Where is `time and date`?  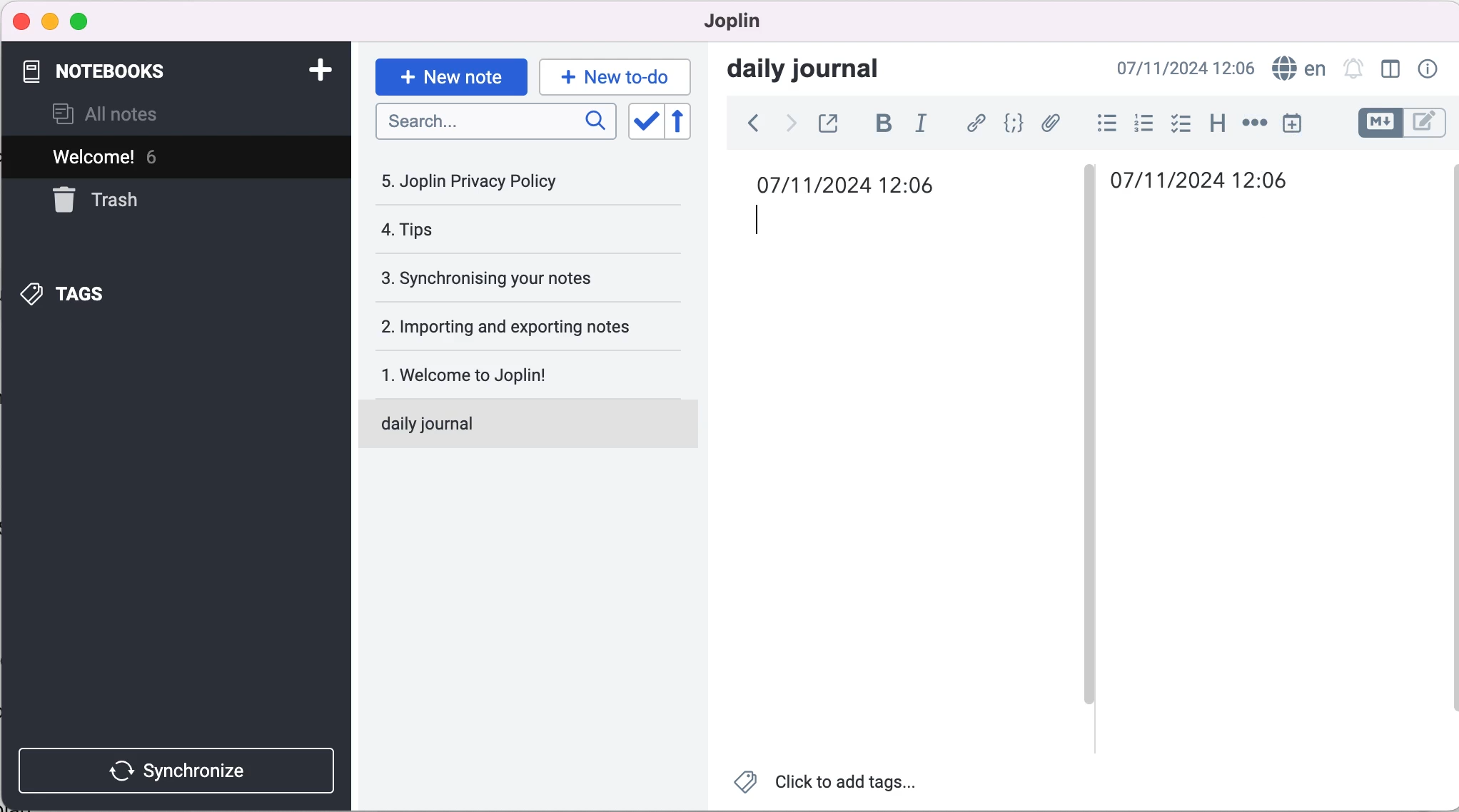
time and date is located at coordinates (1186, 69).